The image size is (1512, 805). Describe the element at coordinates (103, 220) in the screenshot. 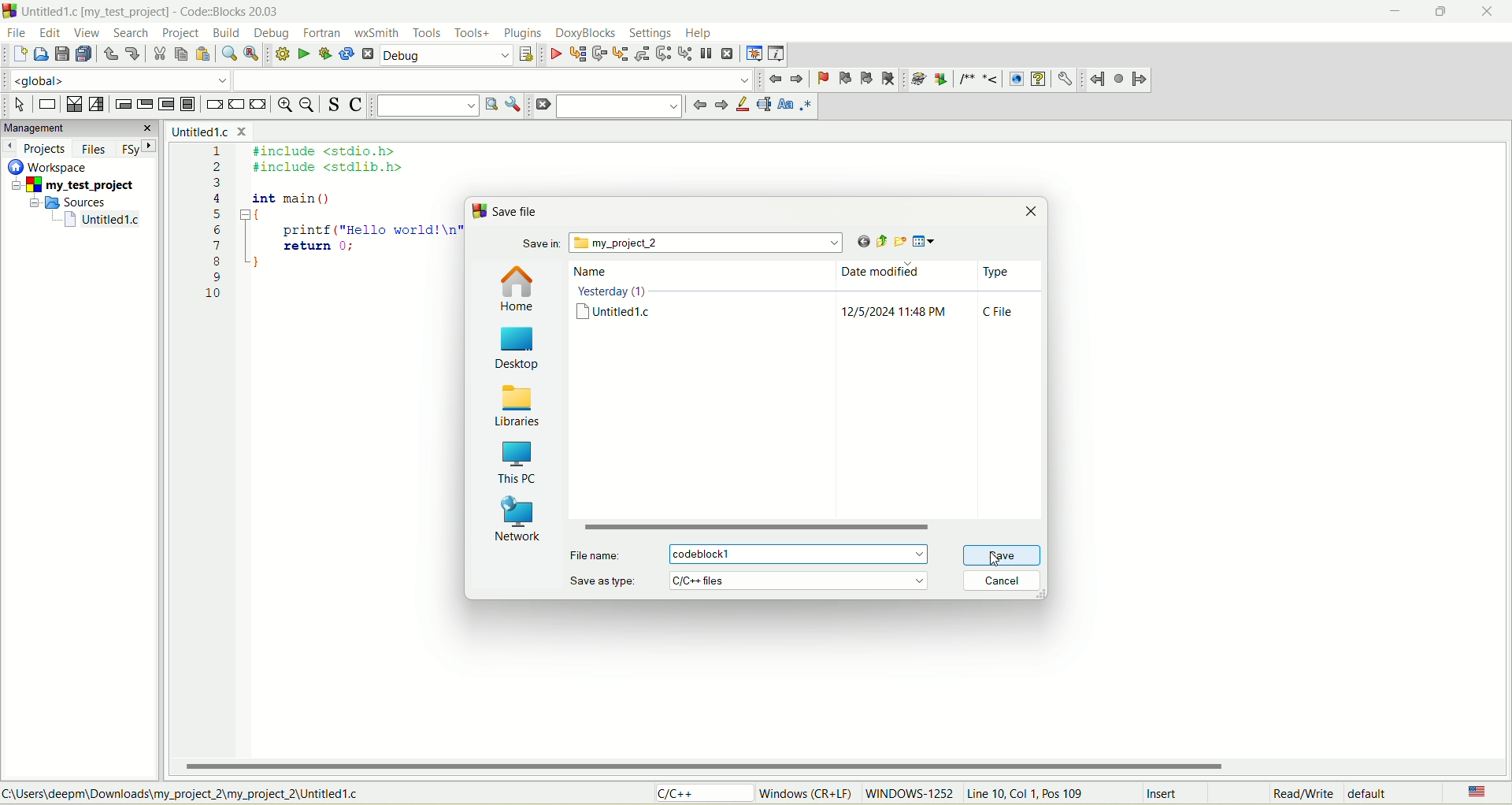

I see `title` at that location.